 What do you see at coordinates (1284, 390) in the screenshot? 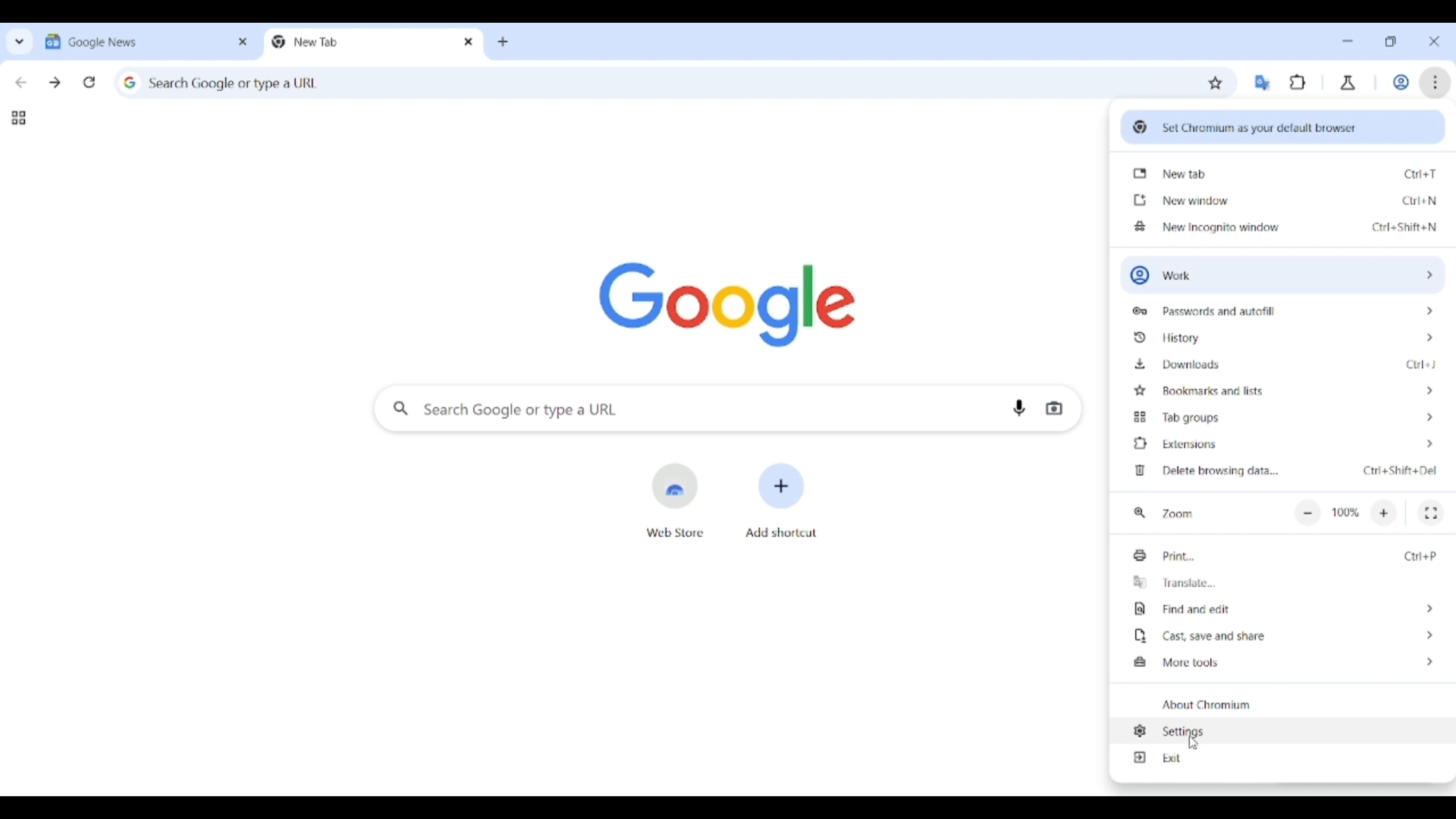
I see `Bookmark and list options` at bounding box center [1284, 390].